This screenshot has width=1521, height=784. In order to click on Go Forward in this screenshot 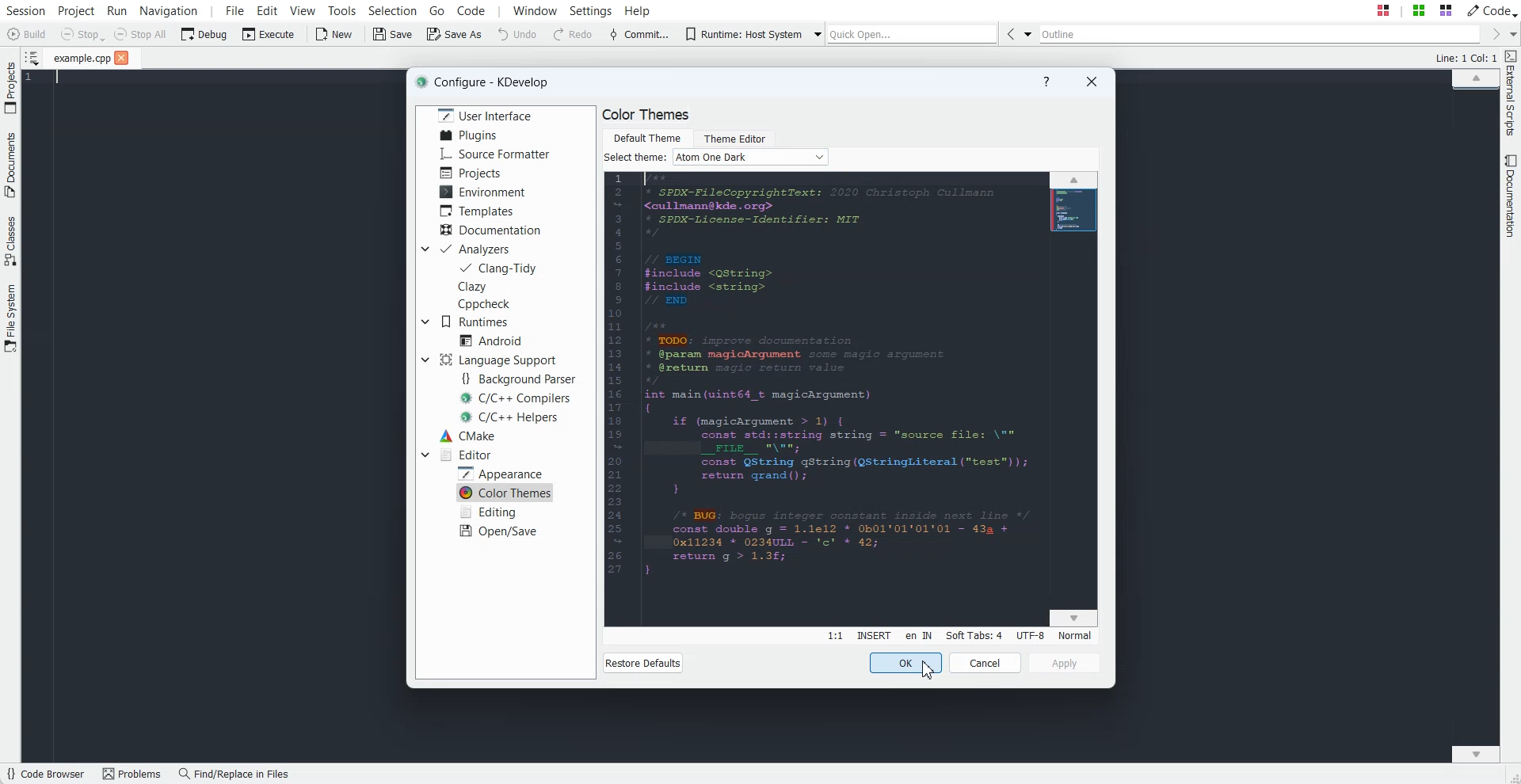, I will do `click(1492, 35)`.